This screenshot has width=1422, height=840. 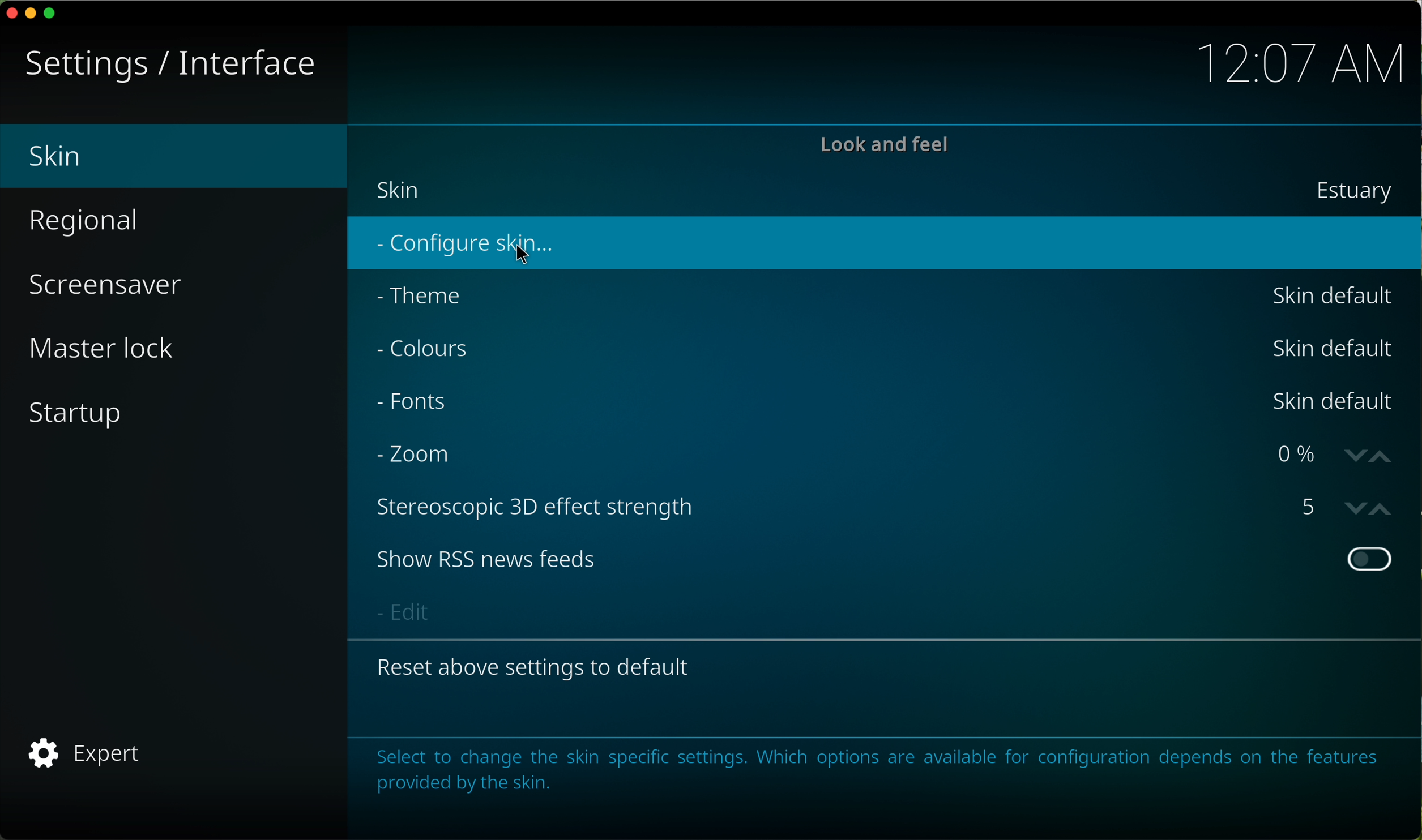 What do you see at coordinates (1300, 60) in the screenshot?
I see `12:07 AM` at bounding box center [1300, 60].